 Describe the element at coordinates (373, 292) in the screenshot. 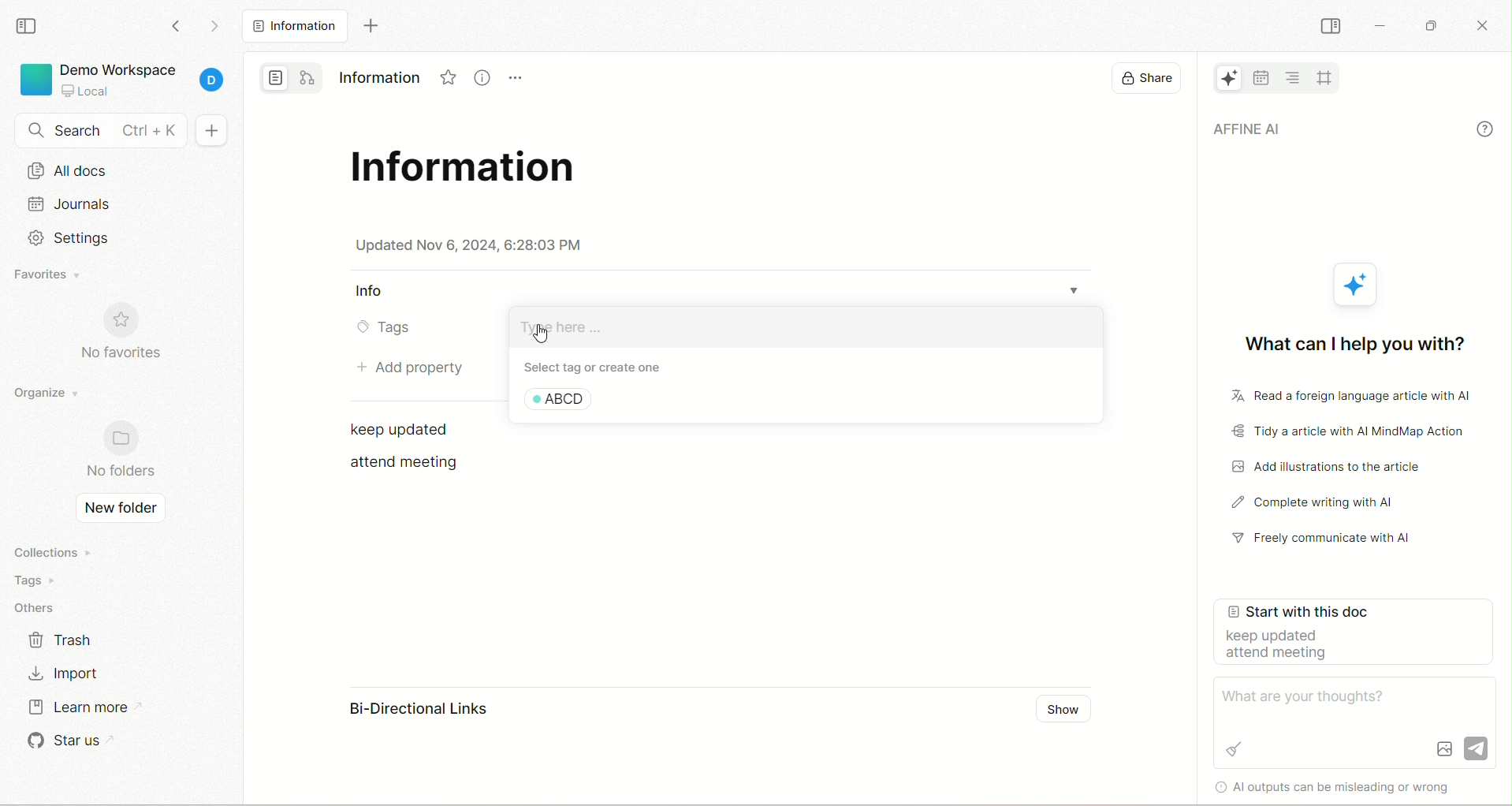

I see `Info` at that location.